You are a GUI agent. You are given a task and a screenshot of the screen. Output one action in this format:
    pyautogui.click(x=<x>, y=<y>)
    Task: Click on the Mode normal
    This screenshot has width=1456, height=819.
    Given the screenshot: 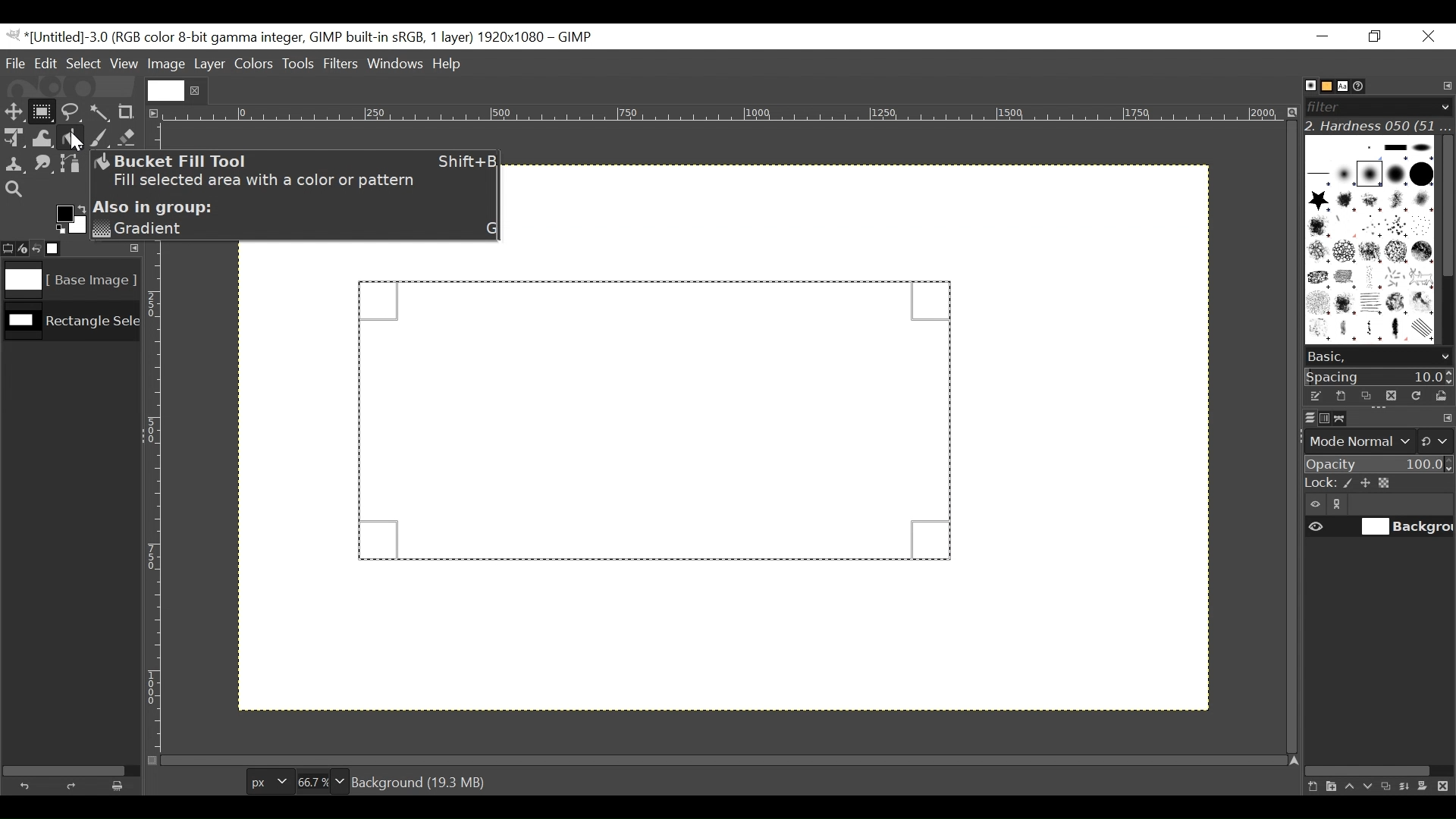 What is the action you would take?
    pyautogui.click(x=1377, y=440)
    